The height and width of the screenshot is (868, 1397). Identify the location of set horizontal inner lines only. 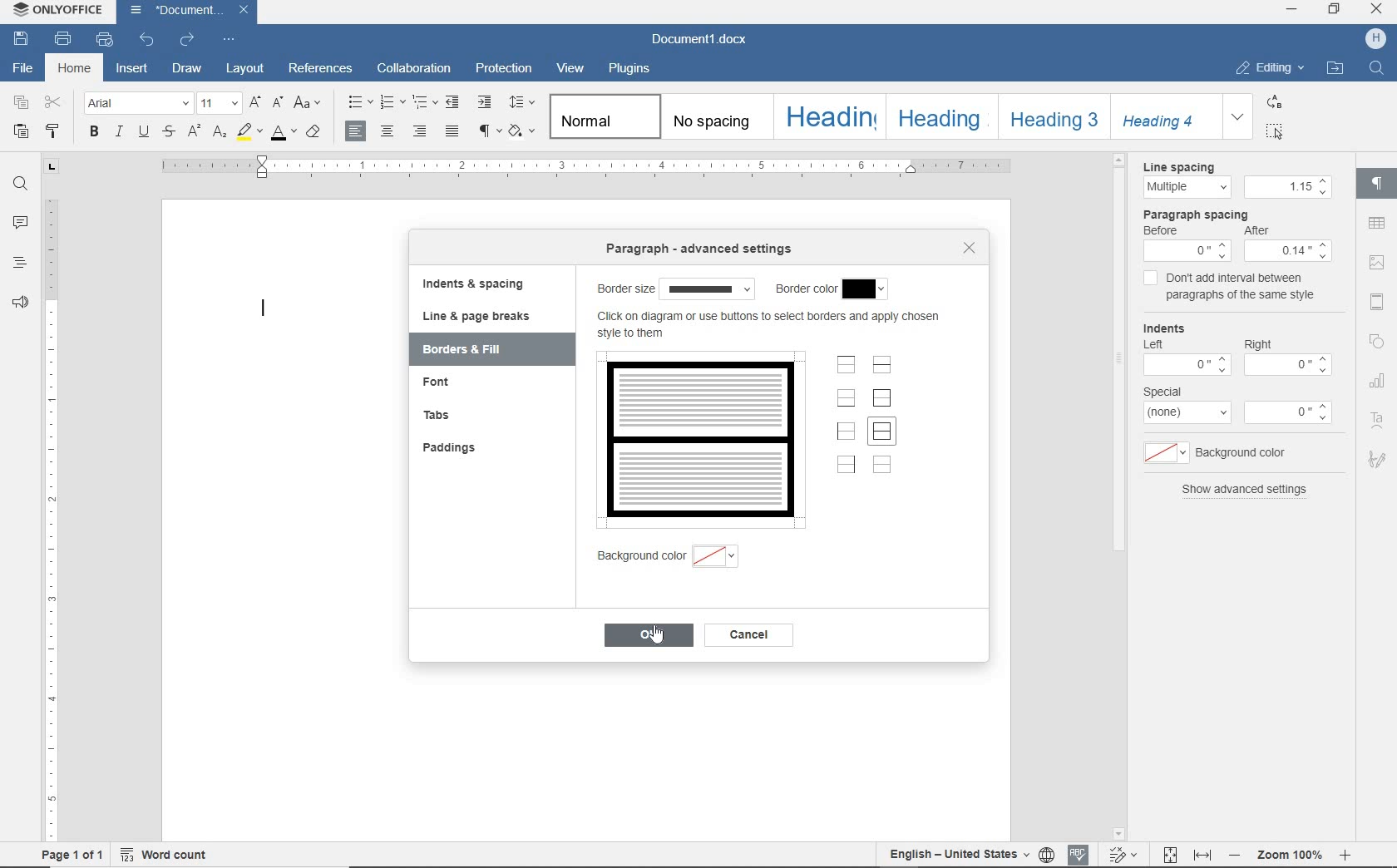
(884, 367).